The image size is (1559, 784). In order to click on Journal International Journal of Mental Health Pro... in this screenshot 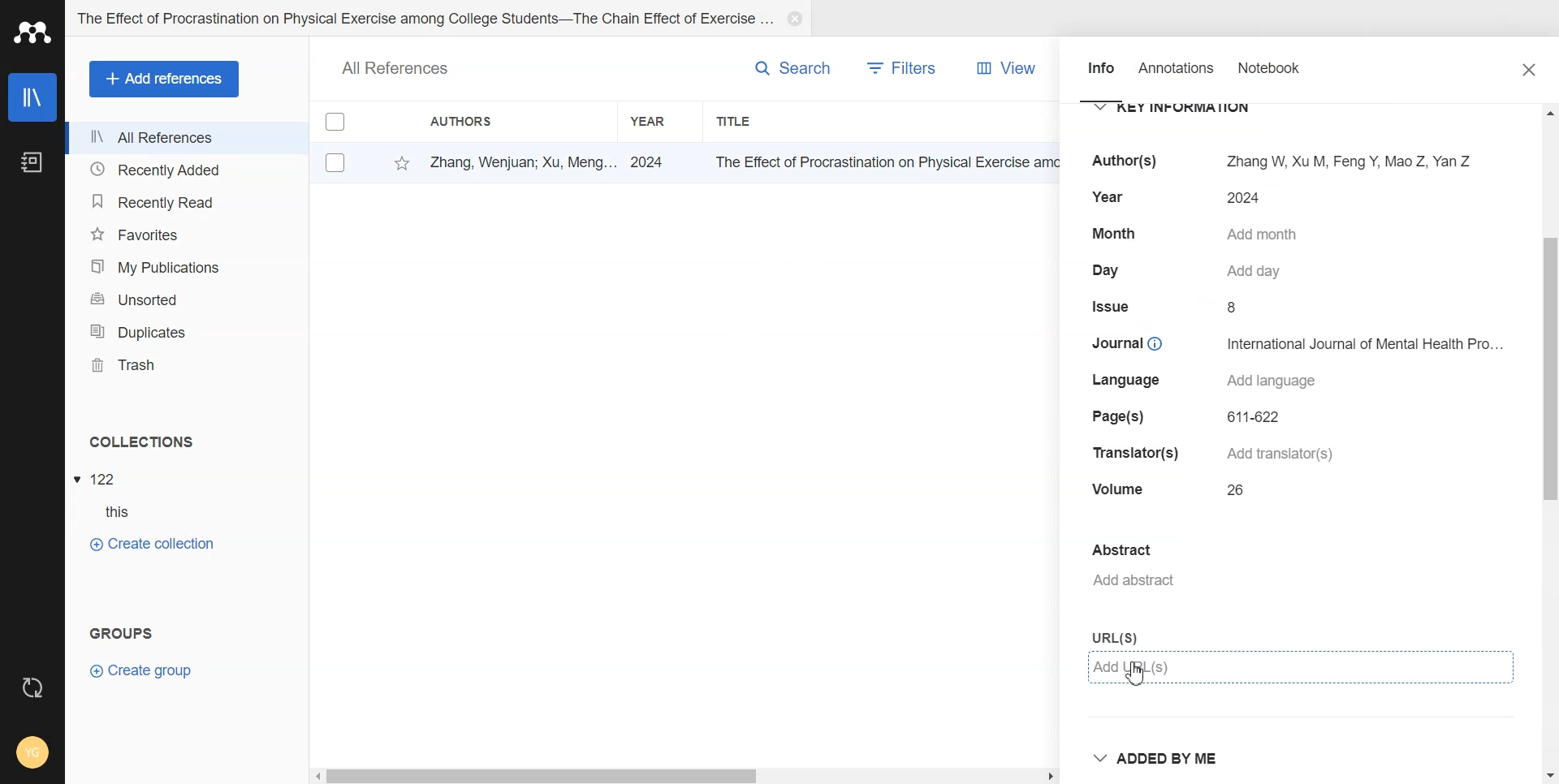, I will do `click(1296, 342)`.